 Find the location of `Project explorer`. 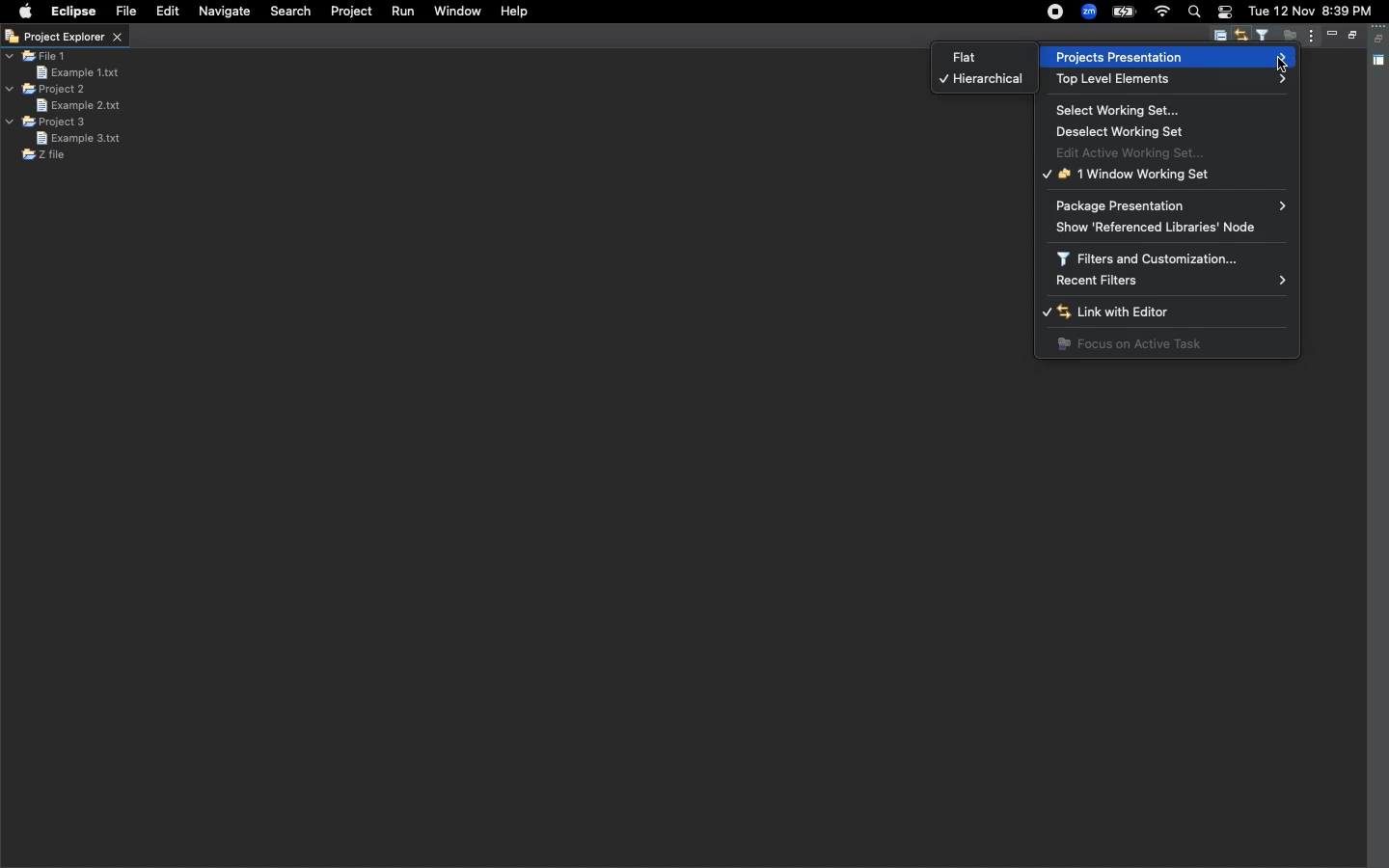

Project explorer is located at coordinates (64, 38).